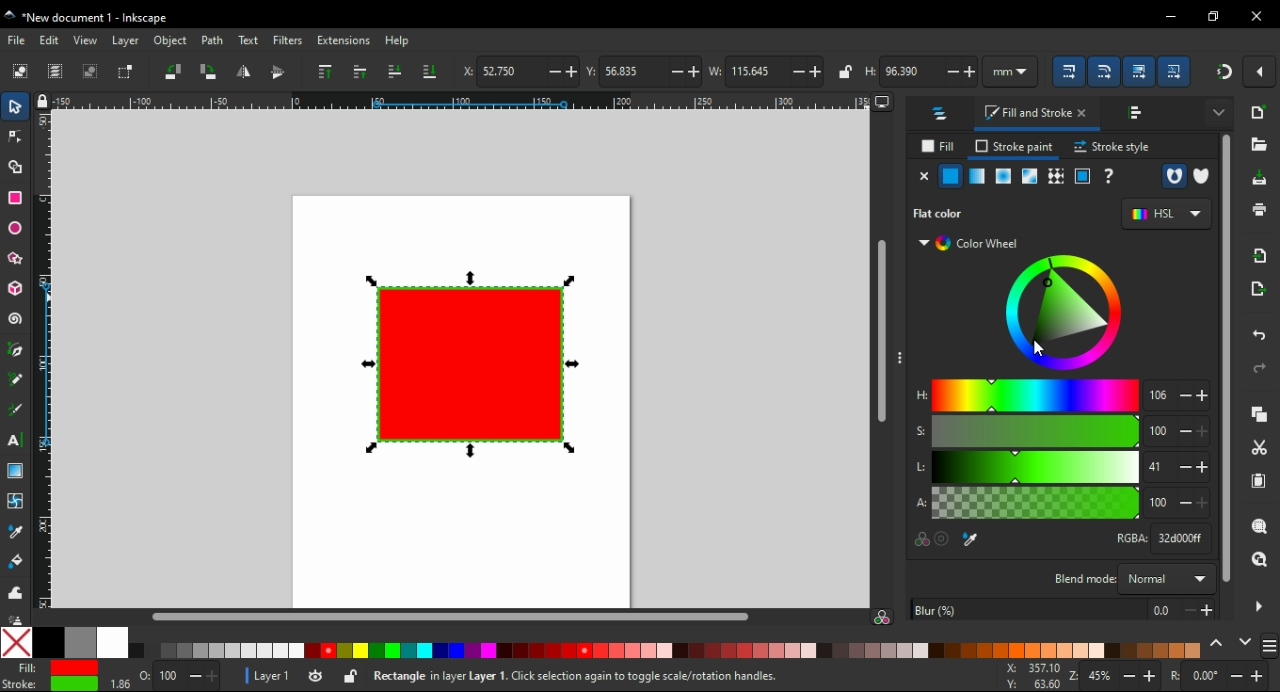 Image resolution: width=1280 pixels, height=692 pixels. I want to click on object, so click(173, 41).